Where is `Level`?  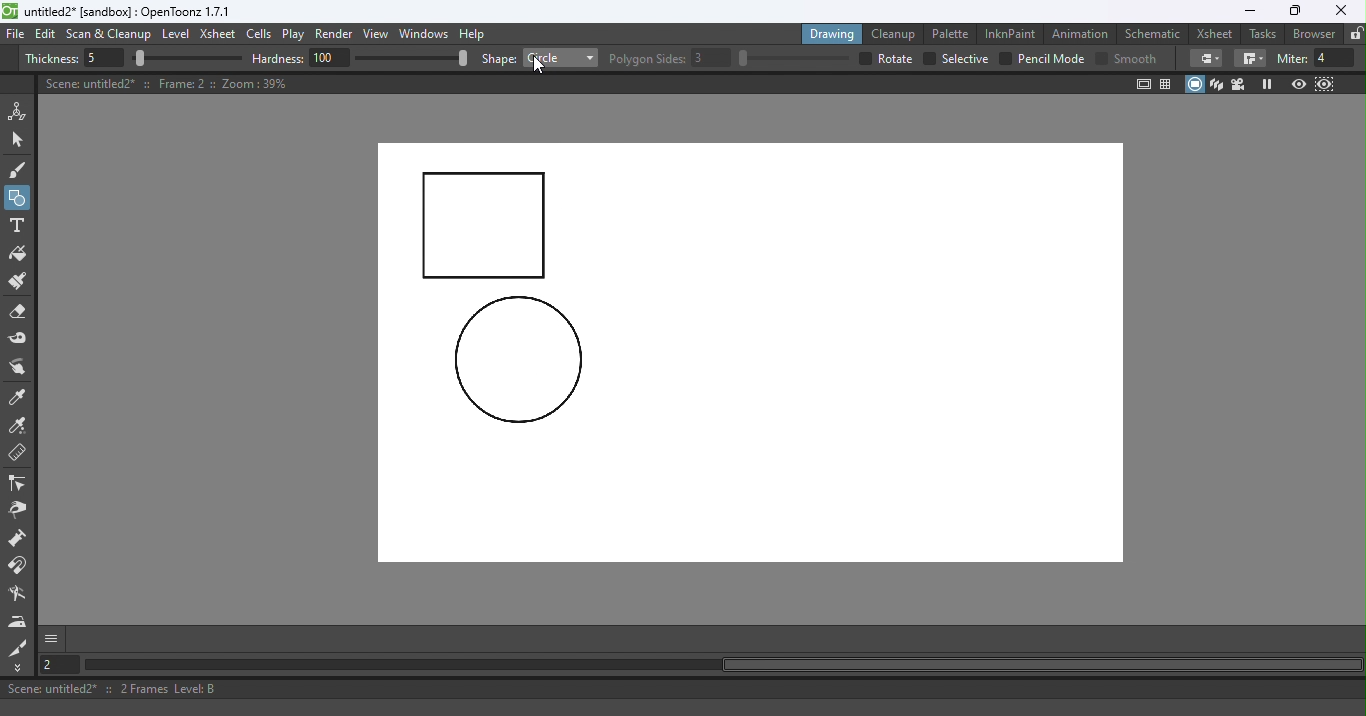 Level is located at coordinates (176, 35).